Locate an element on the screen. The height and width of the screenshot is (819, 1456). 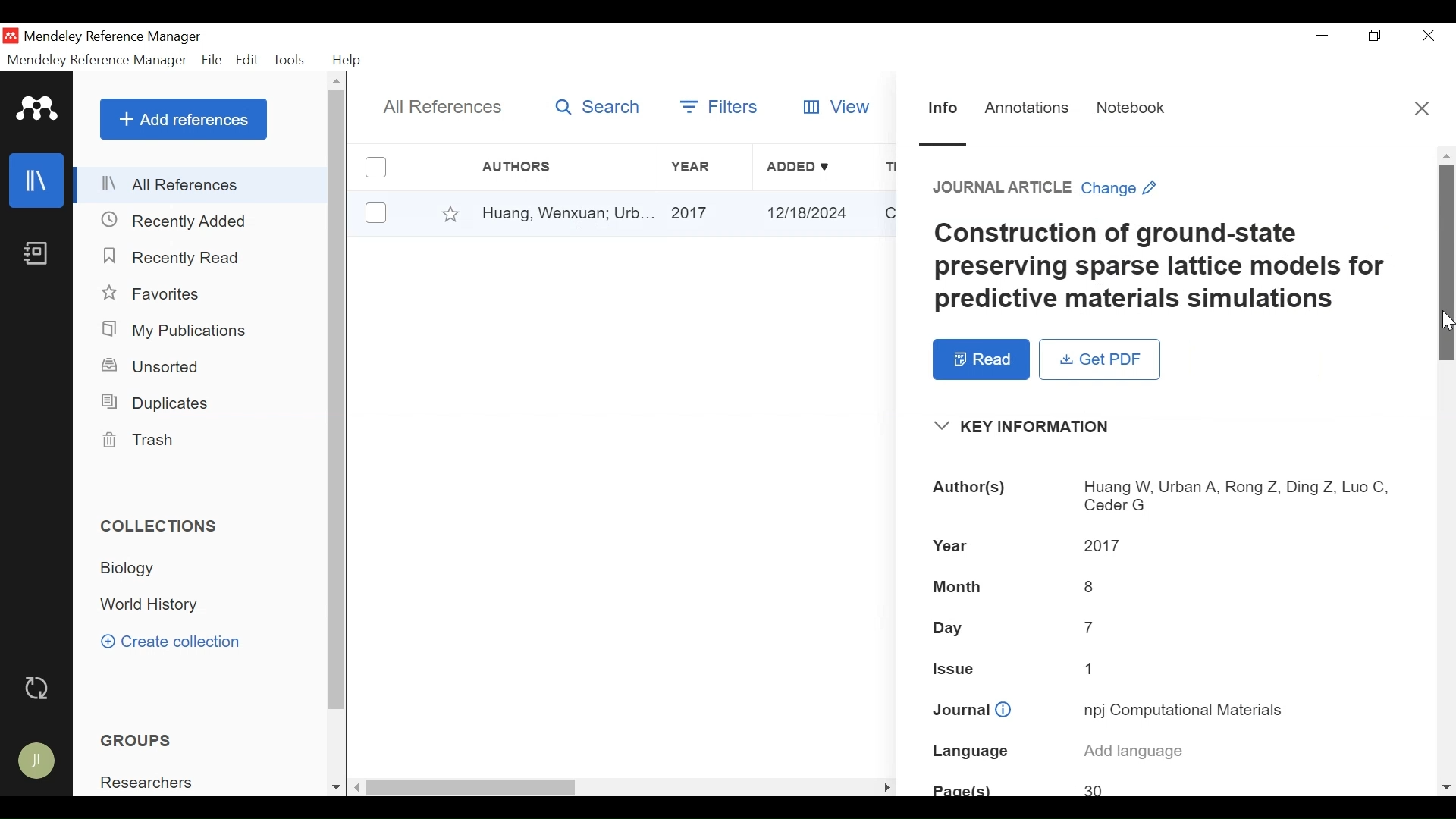
Page is located at coordinates (962, 788).